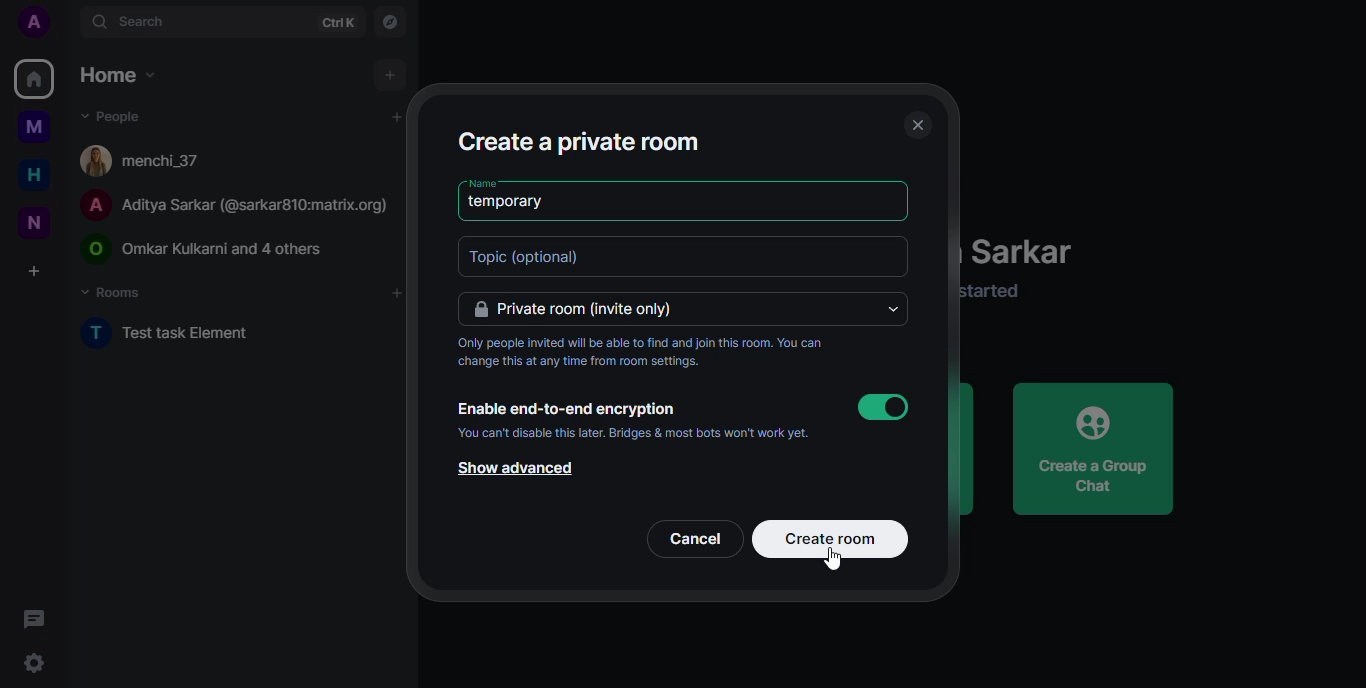 This screenshot has width=1366, height=688. Describe the element at coordinates (843, 563) in the screenshot. I see `cursor` at that location.